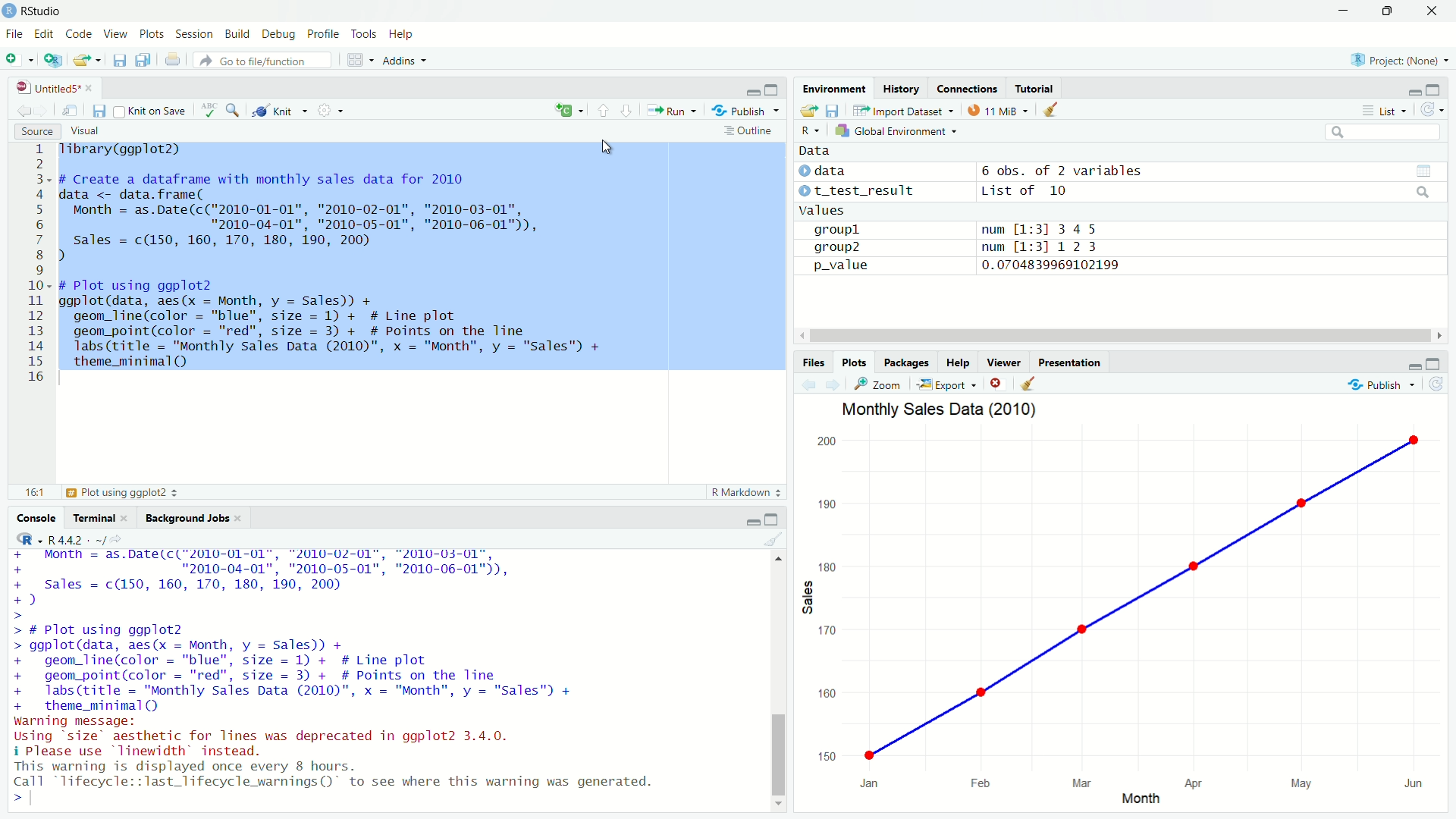 Image resolution: width=1456 pixels, height=819 pixels. I want to click on Terminal, so click(98, 516).